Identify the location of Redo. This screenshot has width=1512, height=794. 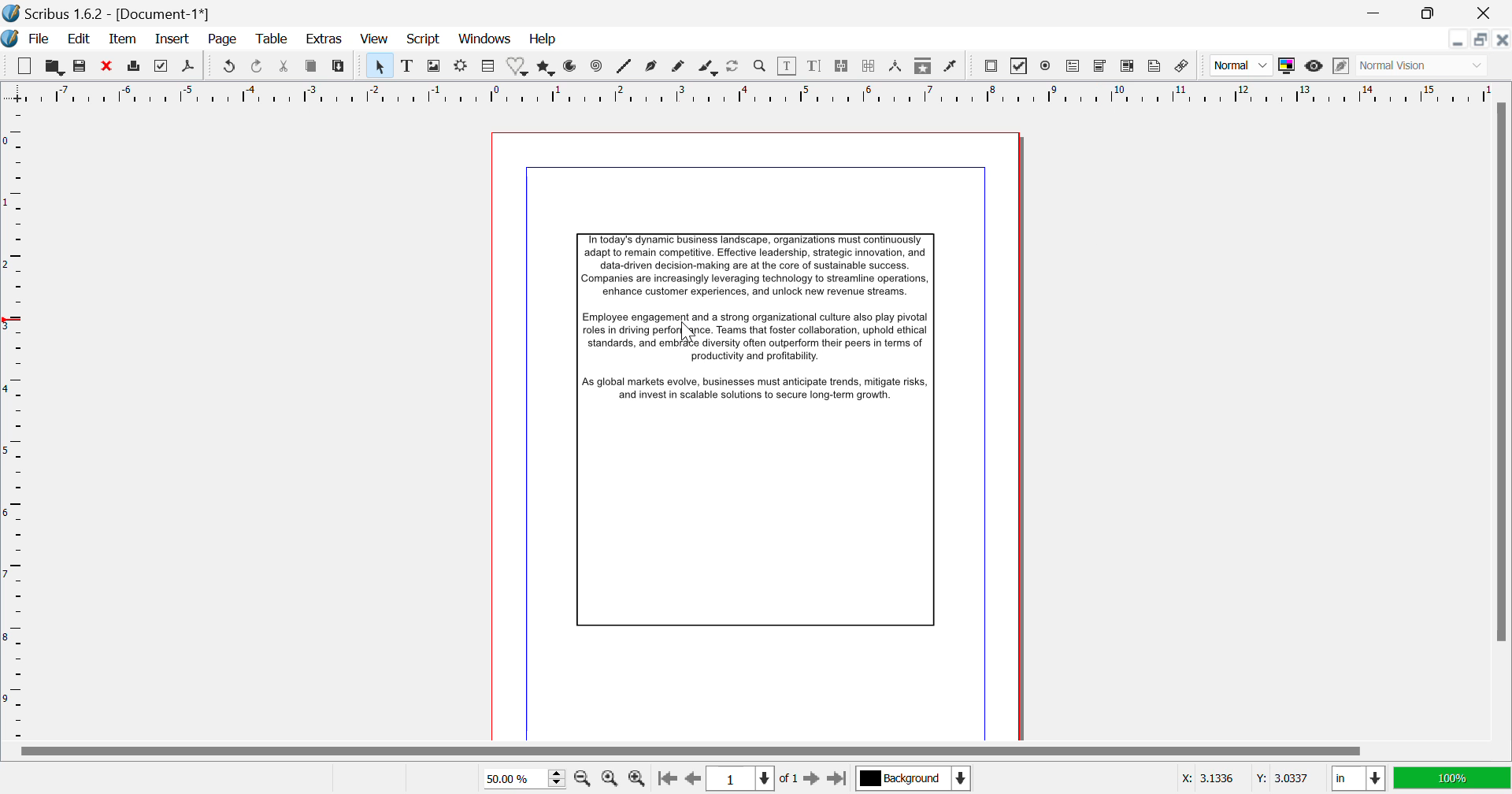
(259, 66).